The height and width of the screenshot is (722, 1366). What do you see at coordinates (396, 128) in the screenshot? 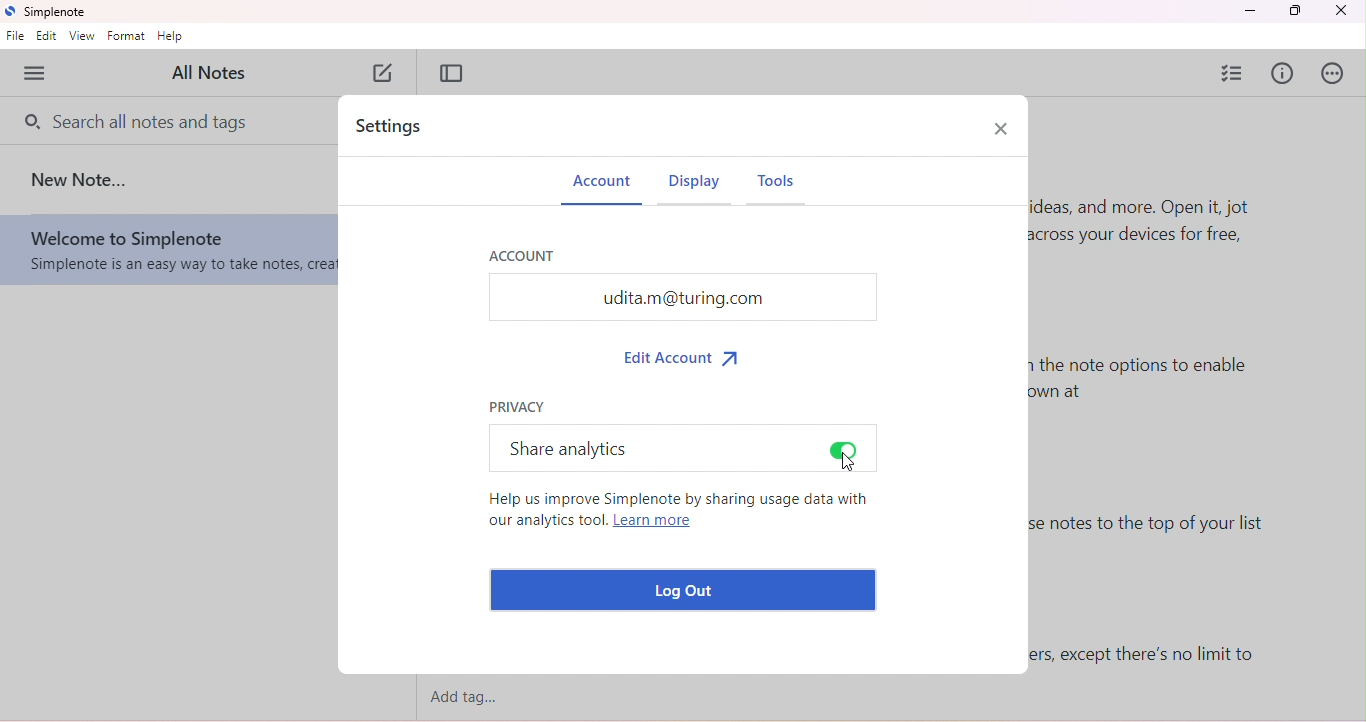
I see `settings` at bounding box center [396, 128].